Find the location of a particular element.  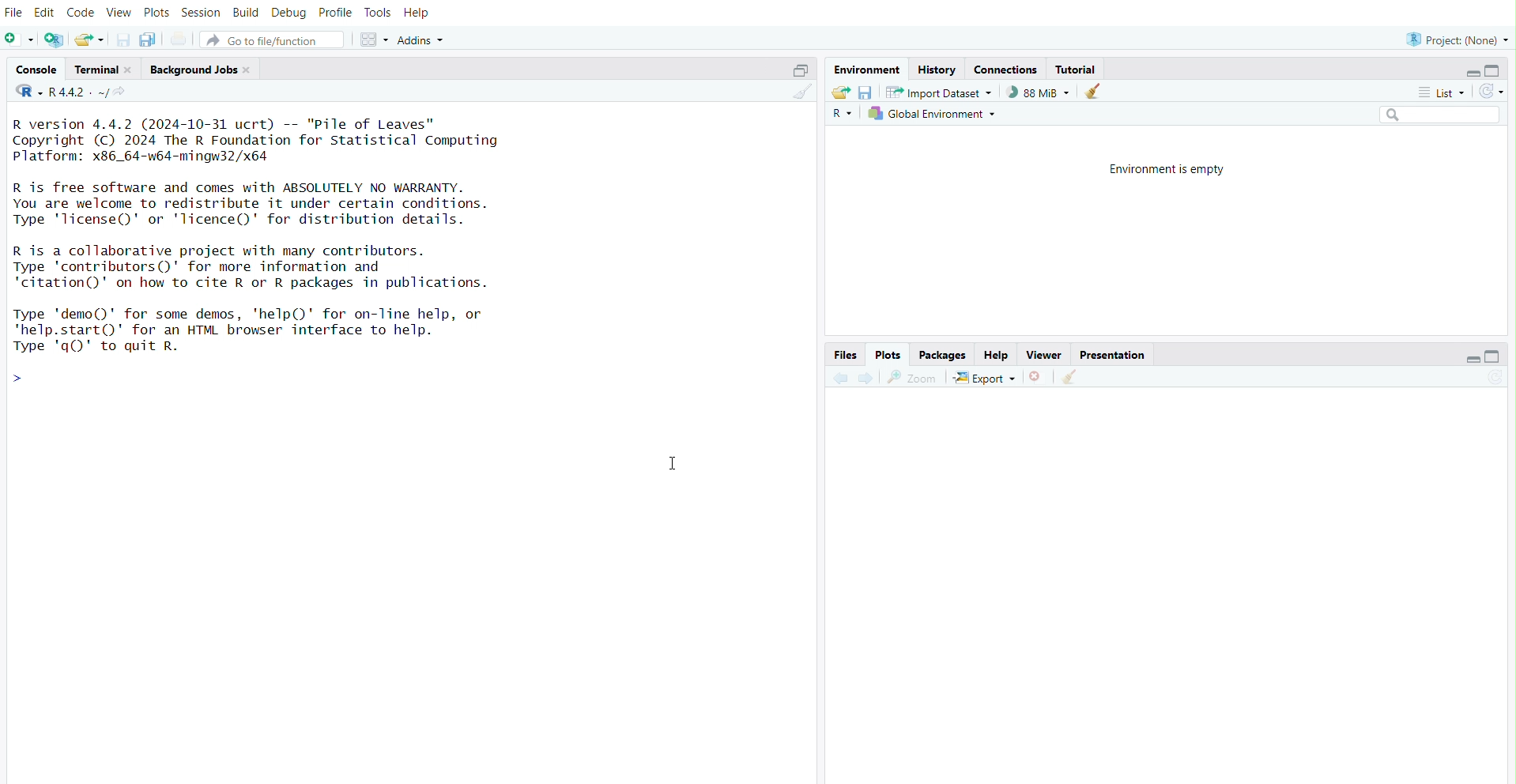

maximize is located at coordinates (1500, 69).